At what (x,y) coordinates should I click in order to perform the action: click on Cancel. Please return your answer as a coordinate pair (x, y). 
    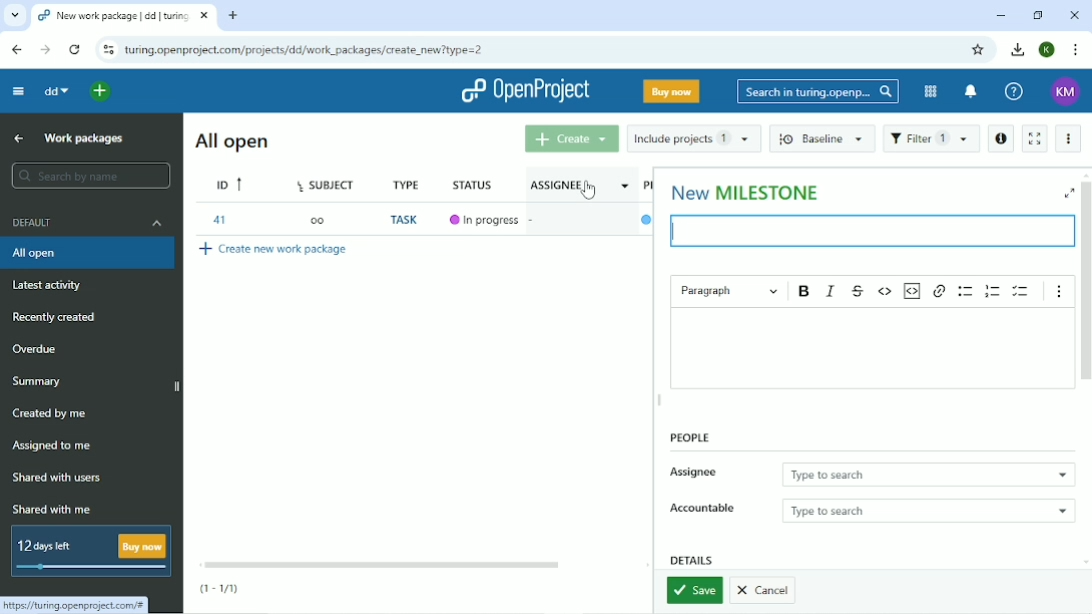
    Looking at the image, I should click on (765, 592).